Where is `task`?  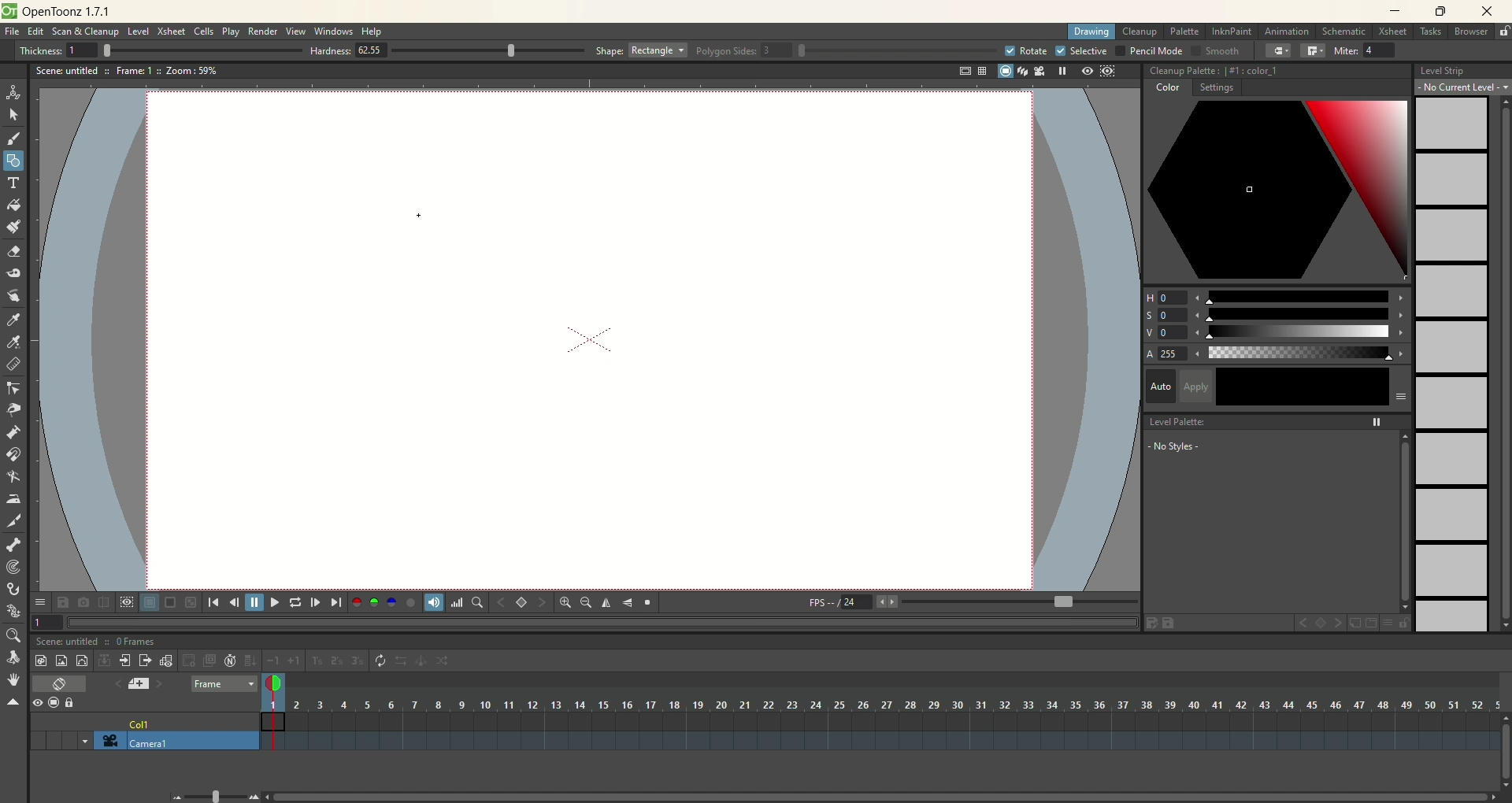
task is located at coordinates (1429, 35).